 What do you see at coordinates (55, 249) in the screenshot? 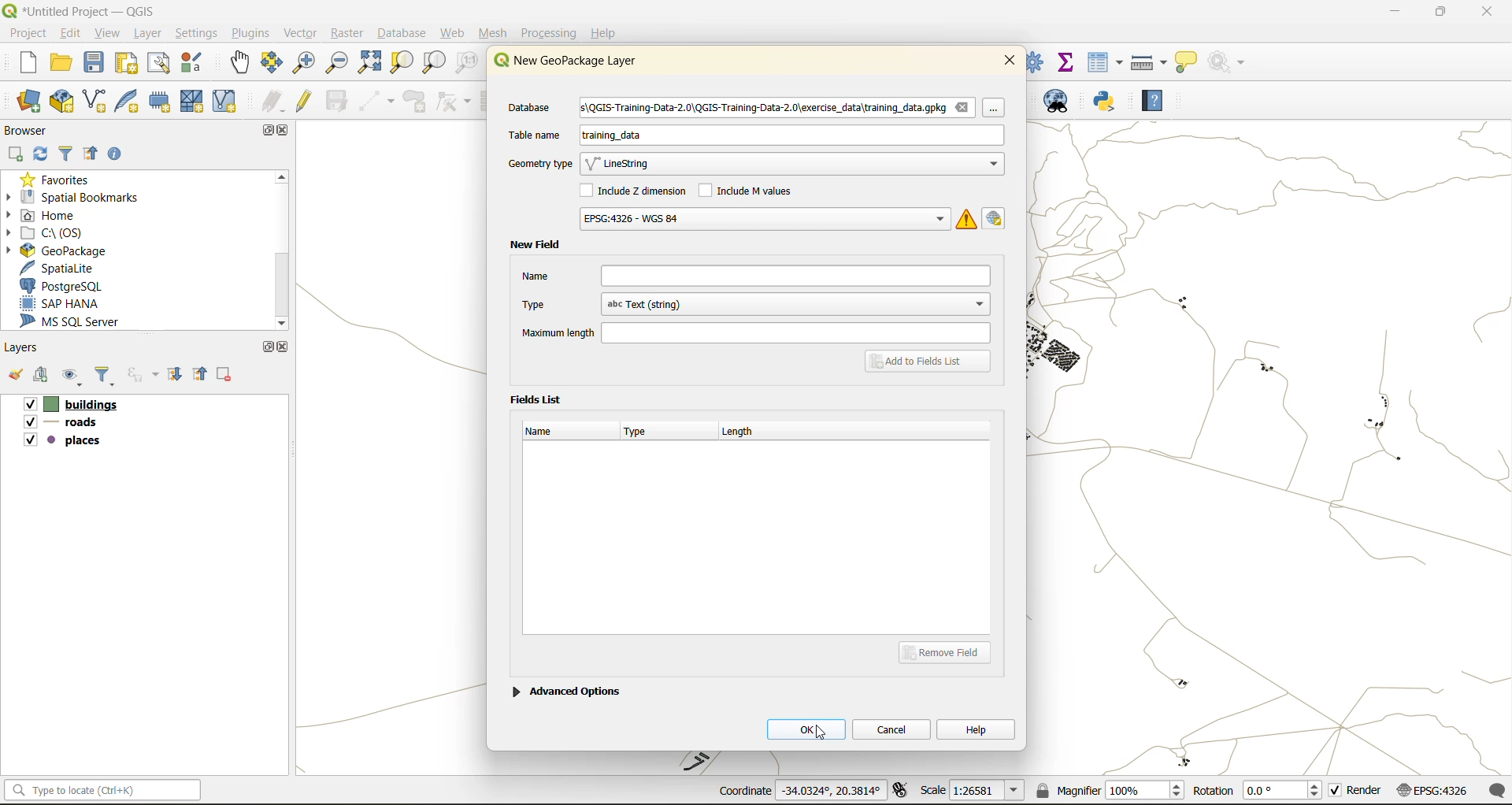
I see `geopackage` at bounding box center [55, 249].